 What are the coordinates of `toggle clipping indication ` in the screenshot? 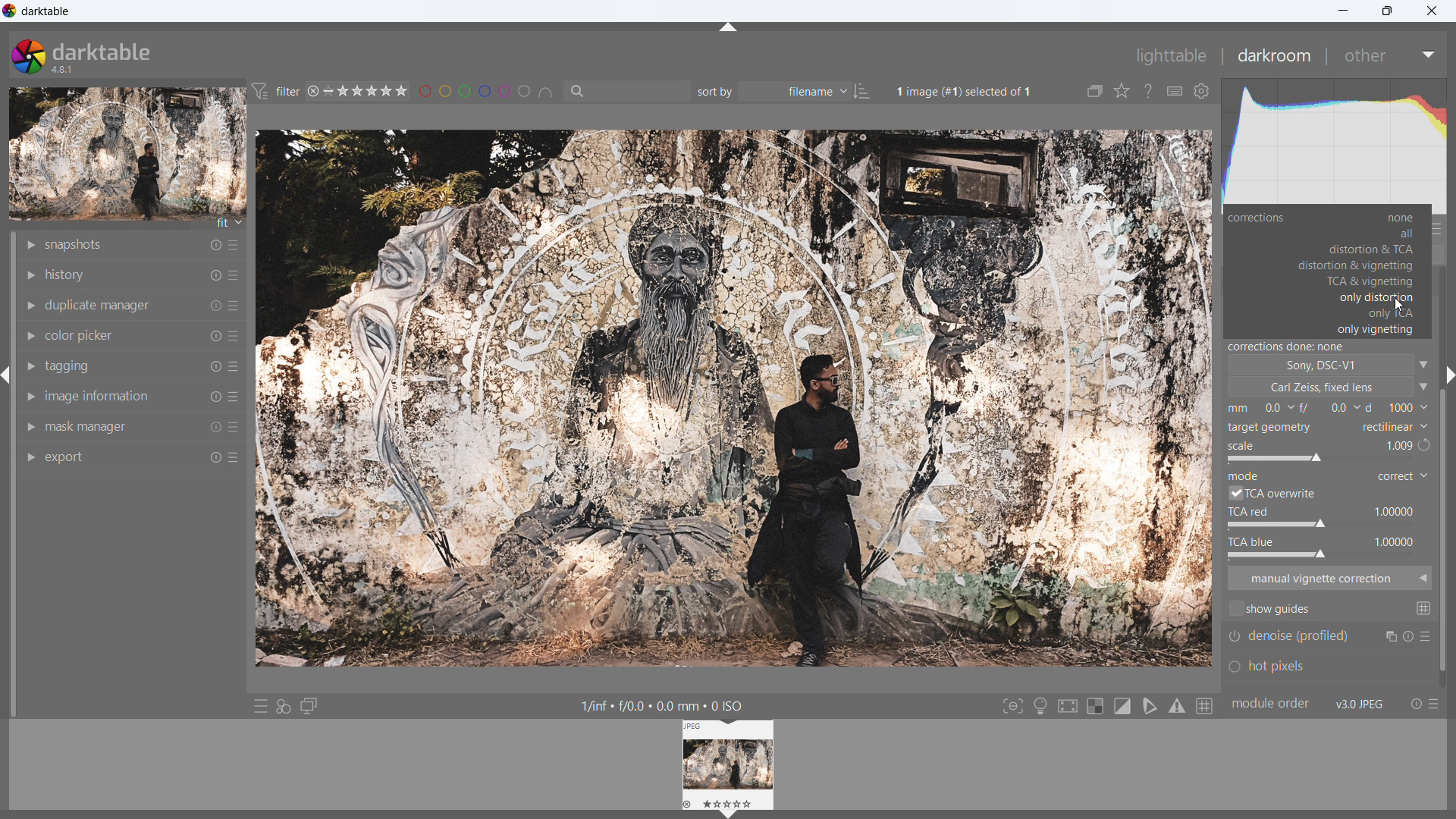 It's located at (1122, 706).